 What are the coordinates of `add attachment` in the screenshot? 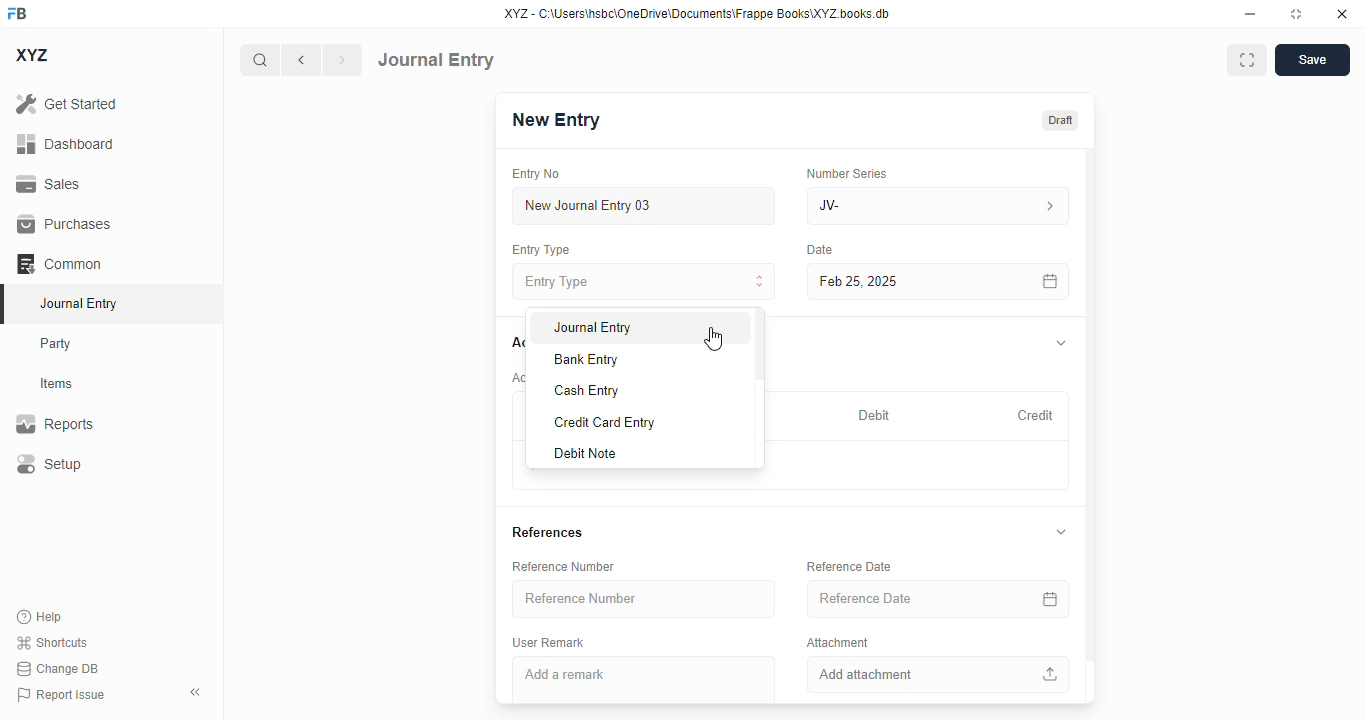 It's located at (938, 674).